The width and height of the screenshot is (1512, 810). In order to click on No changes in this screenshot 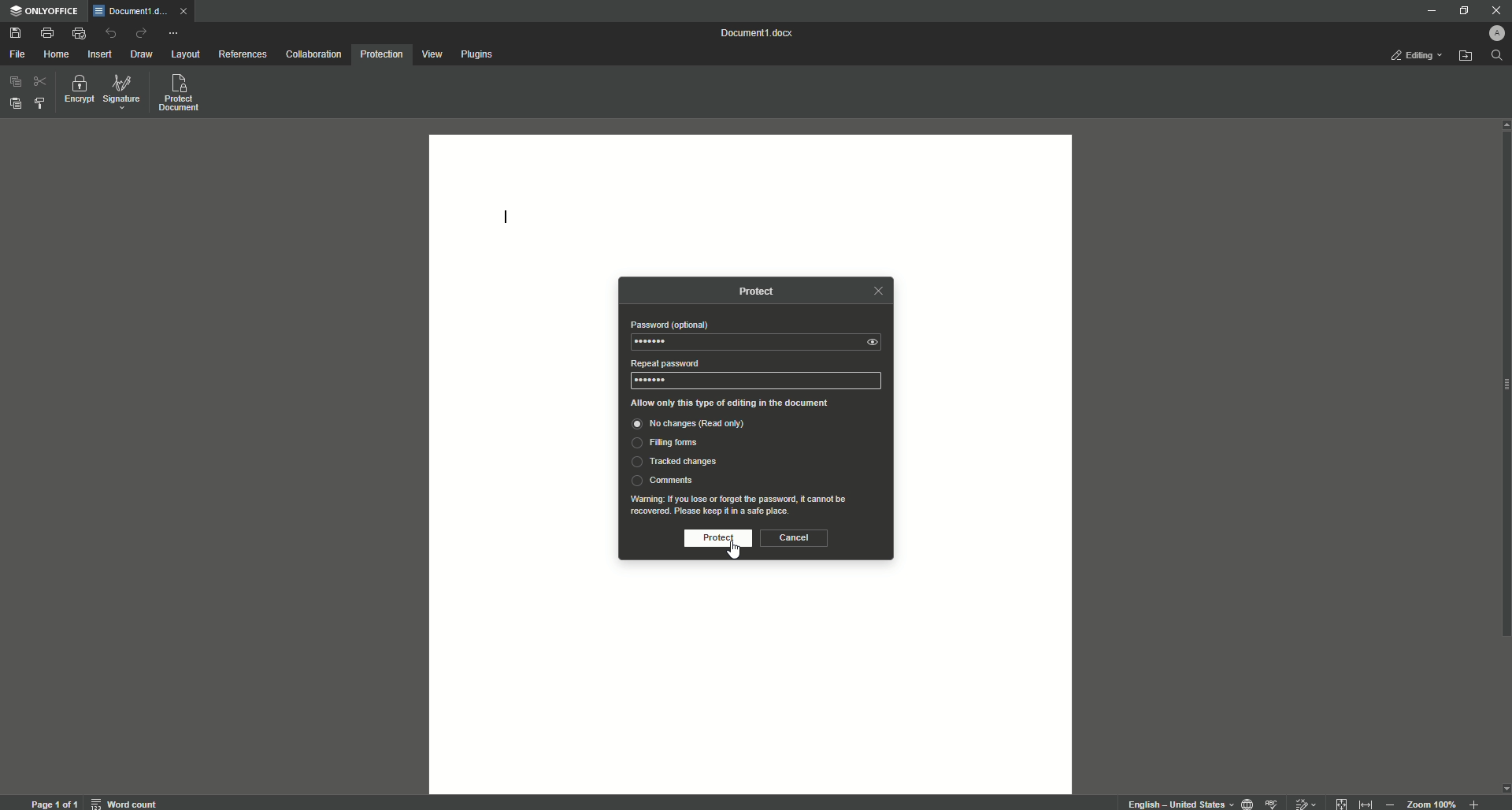, I will do `click(704, 425)`.